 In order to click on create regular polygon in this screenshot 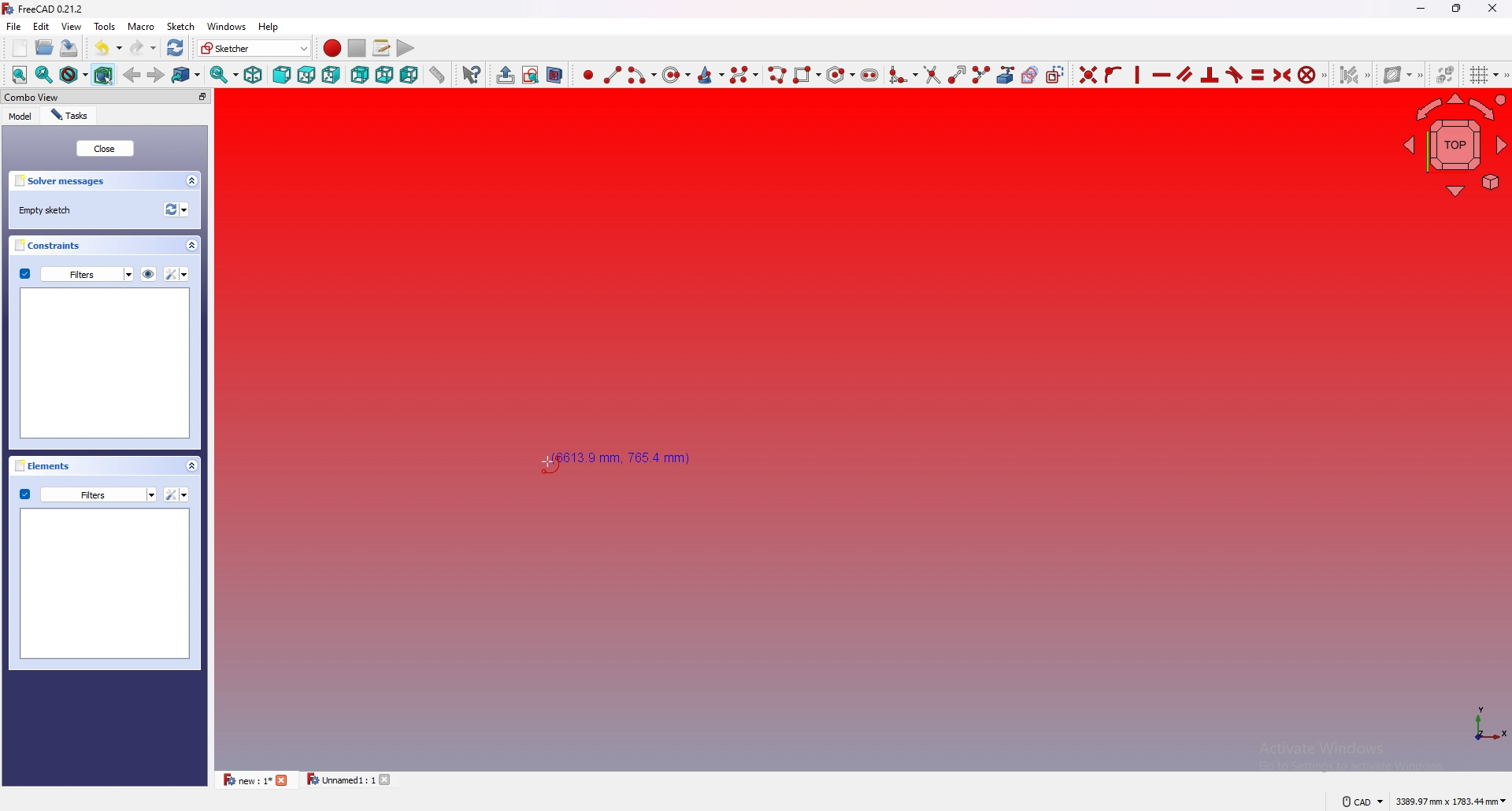, I will do `click(840, 75)`.